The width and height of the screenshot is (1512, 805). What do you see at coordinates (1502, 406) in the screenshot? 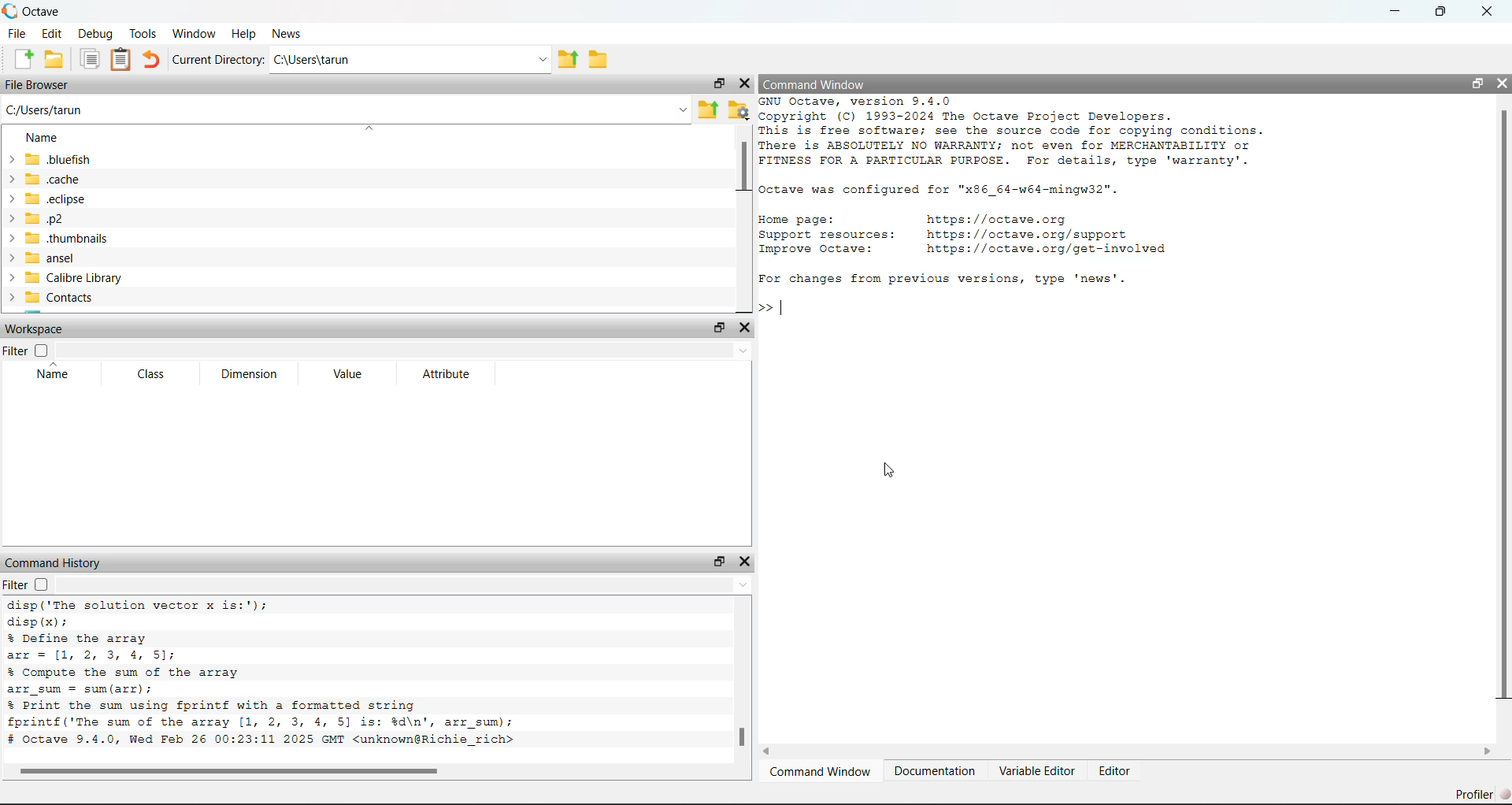
I see `Scrollbar` at bounding box center [1502, 406].